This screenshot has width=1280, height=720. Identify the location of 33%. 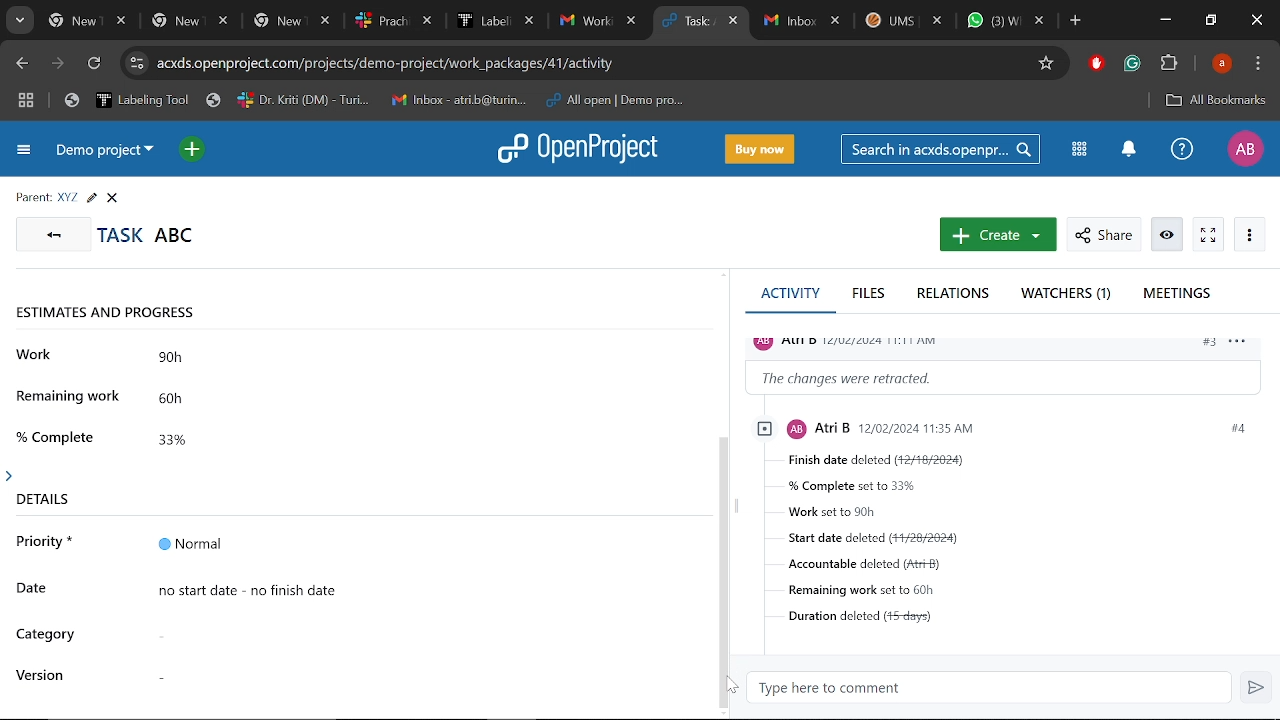
(199, 437).